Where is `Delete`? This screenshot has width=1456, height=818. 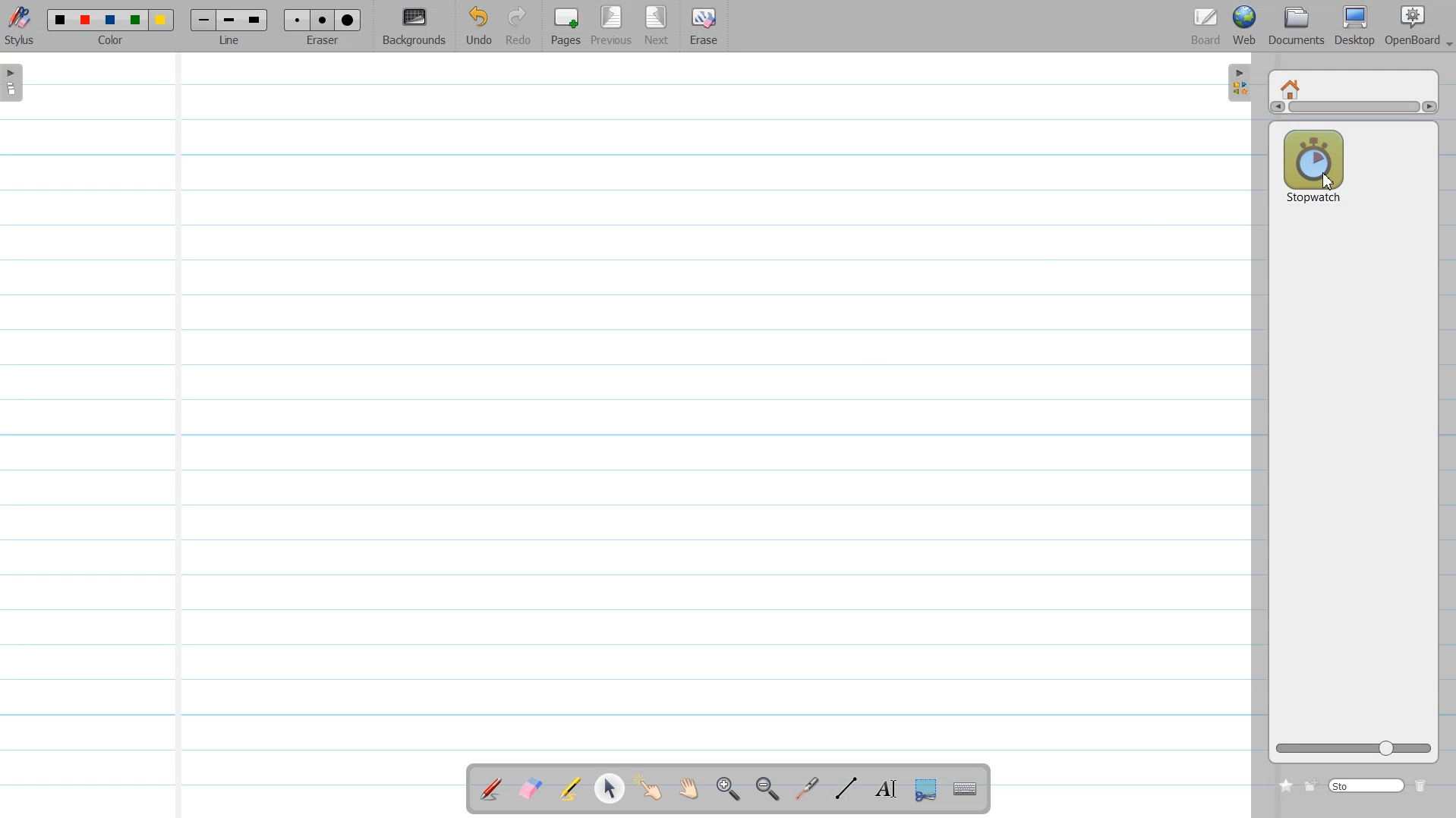 Delete is located at coordinates (1422, 785).